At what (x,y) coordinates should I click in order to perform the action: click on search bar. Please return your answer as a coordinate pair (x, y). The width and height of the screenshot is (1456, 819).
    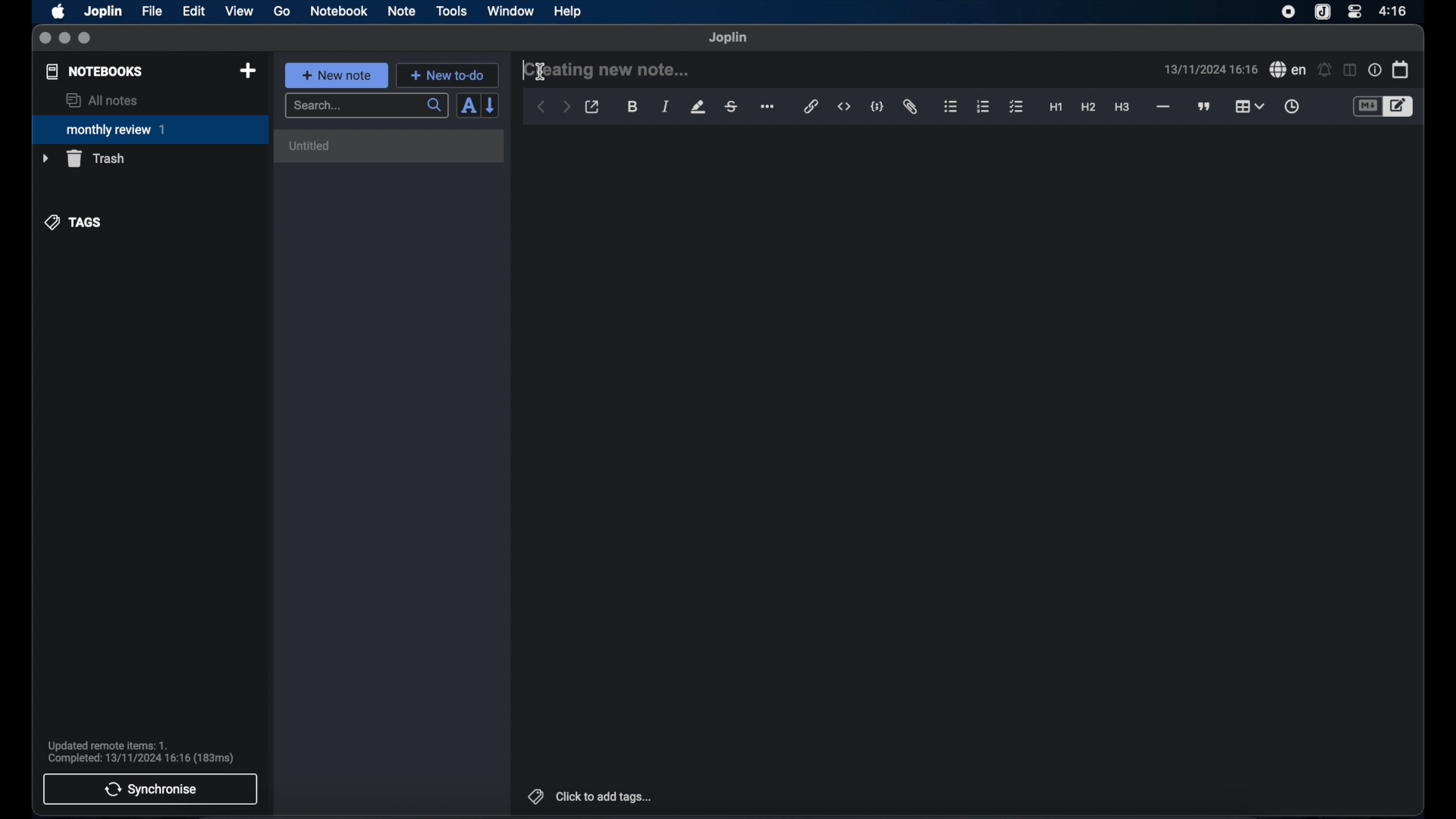
    Looking at the image, I should click on (366, 107).